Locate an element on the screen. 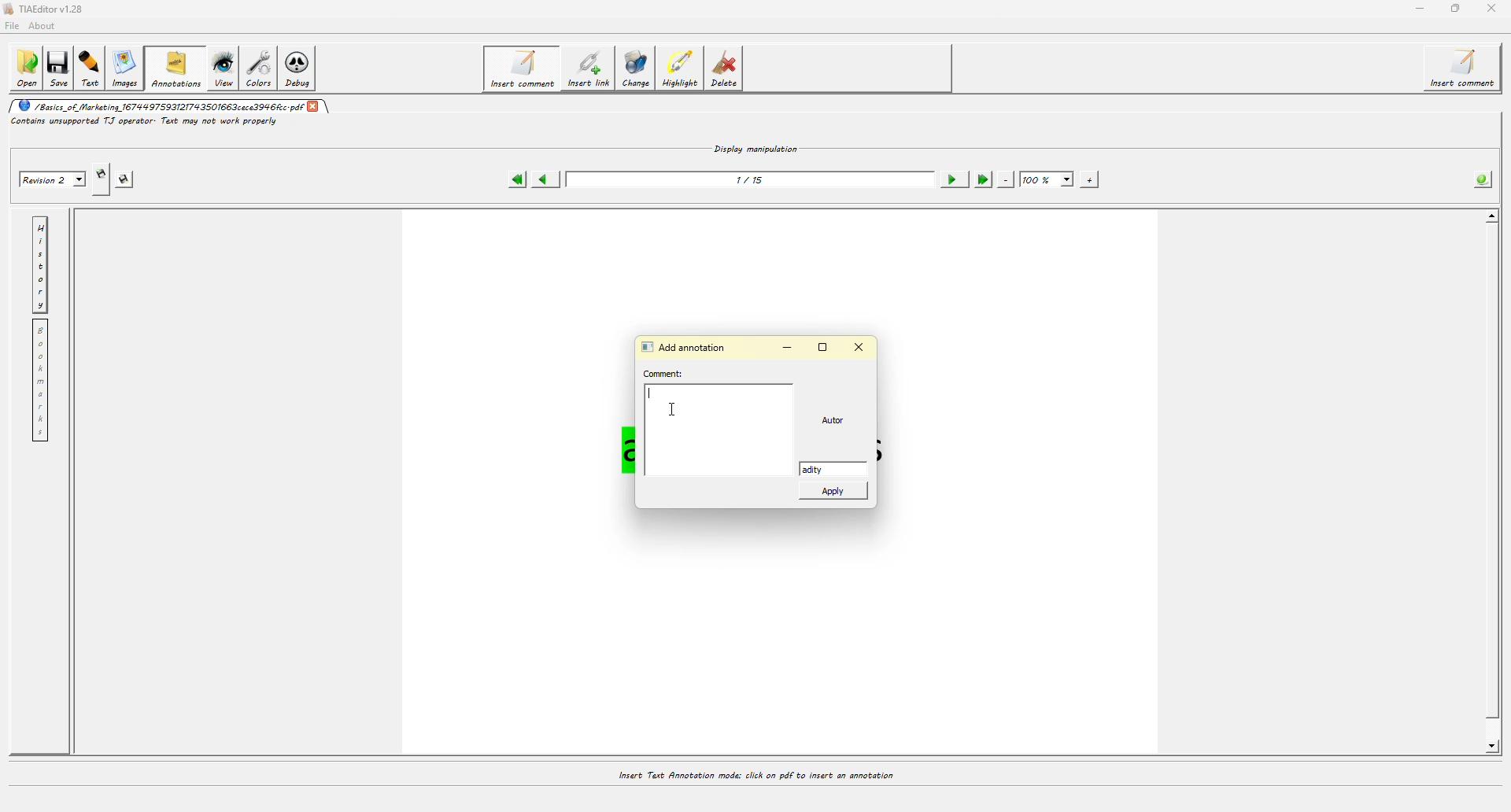  first page is located at coordinates (516, 179).